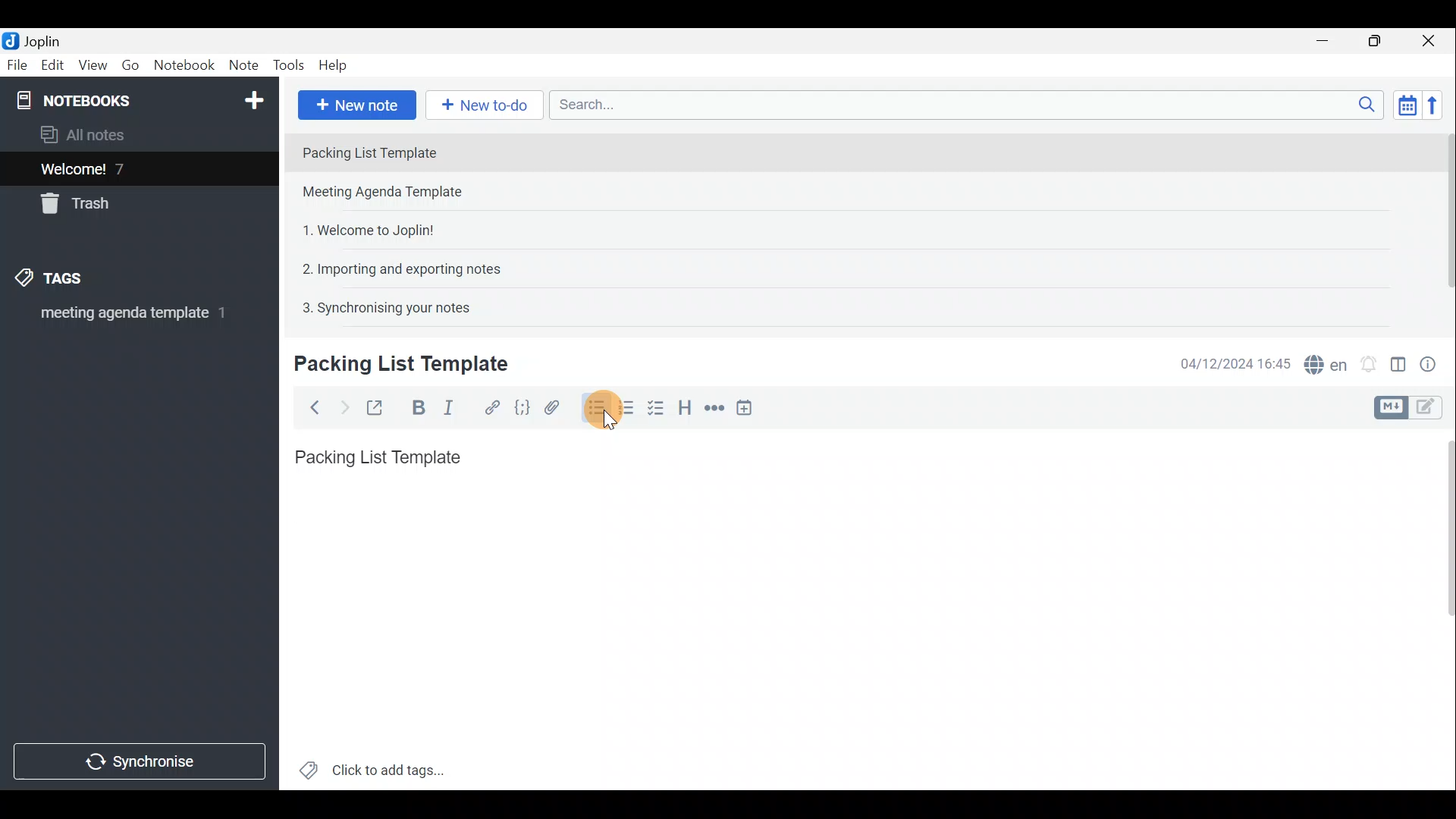 The width and height of the screenshot is (1456, 819). What do you see at coordinates (1442, 607) in the screenshot?
I see `Scroll bar` at bounding box center [1442, 607].